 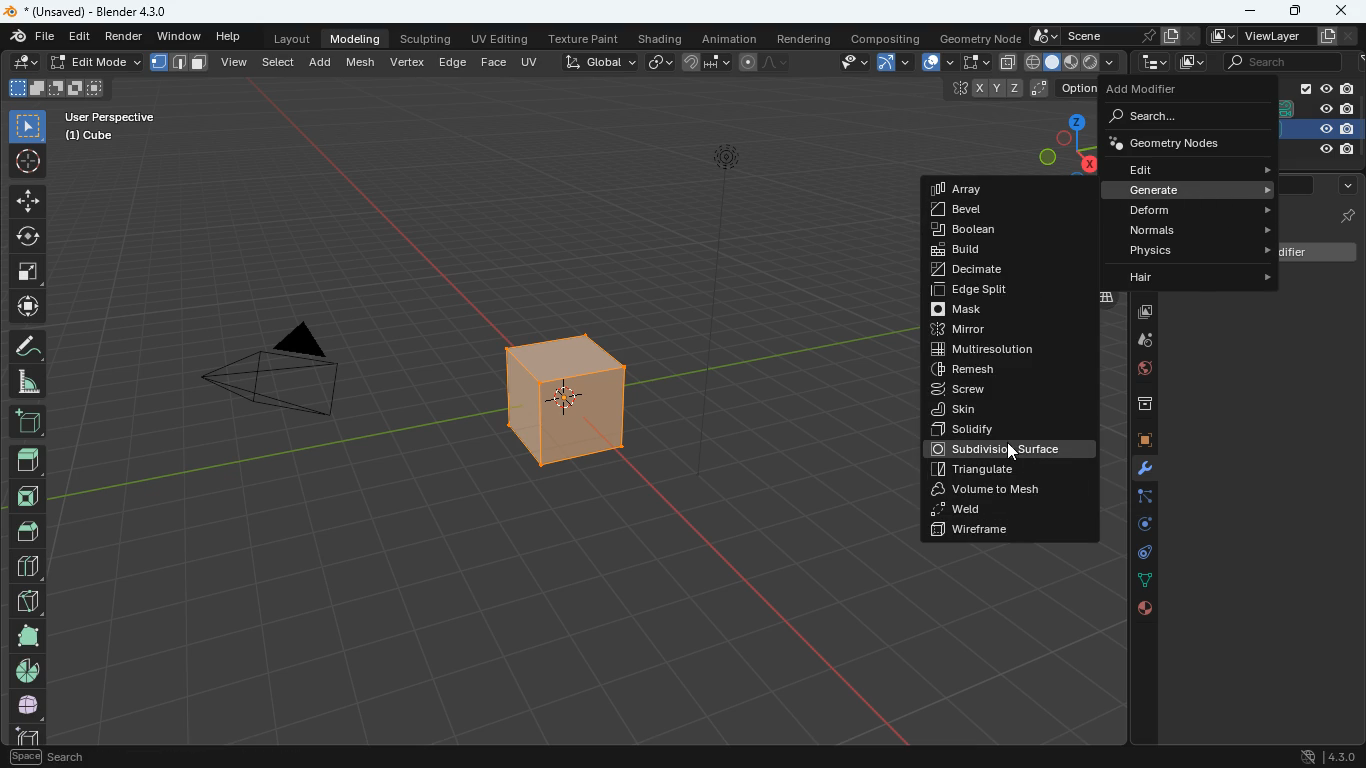 What do you see at coordinates (27, 533) in the screenshot?
I see `roof` at bounding box center [27, 533].